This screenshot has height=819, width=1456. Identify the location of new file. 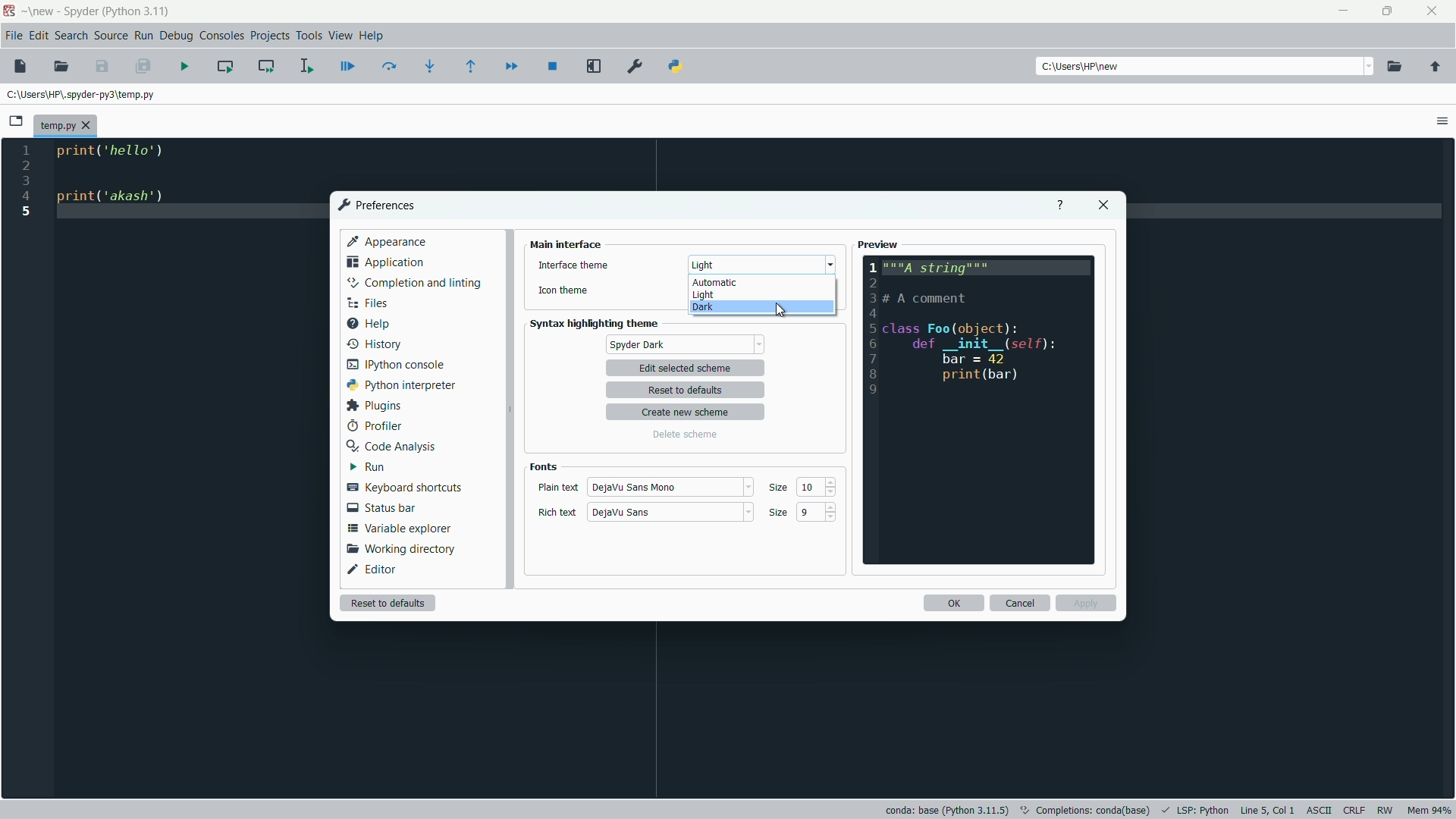
(20, 66).